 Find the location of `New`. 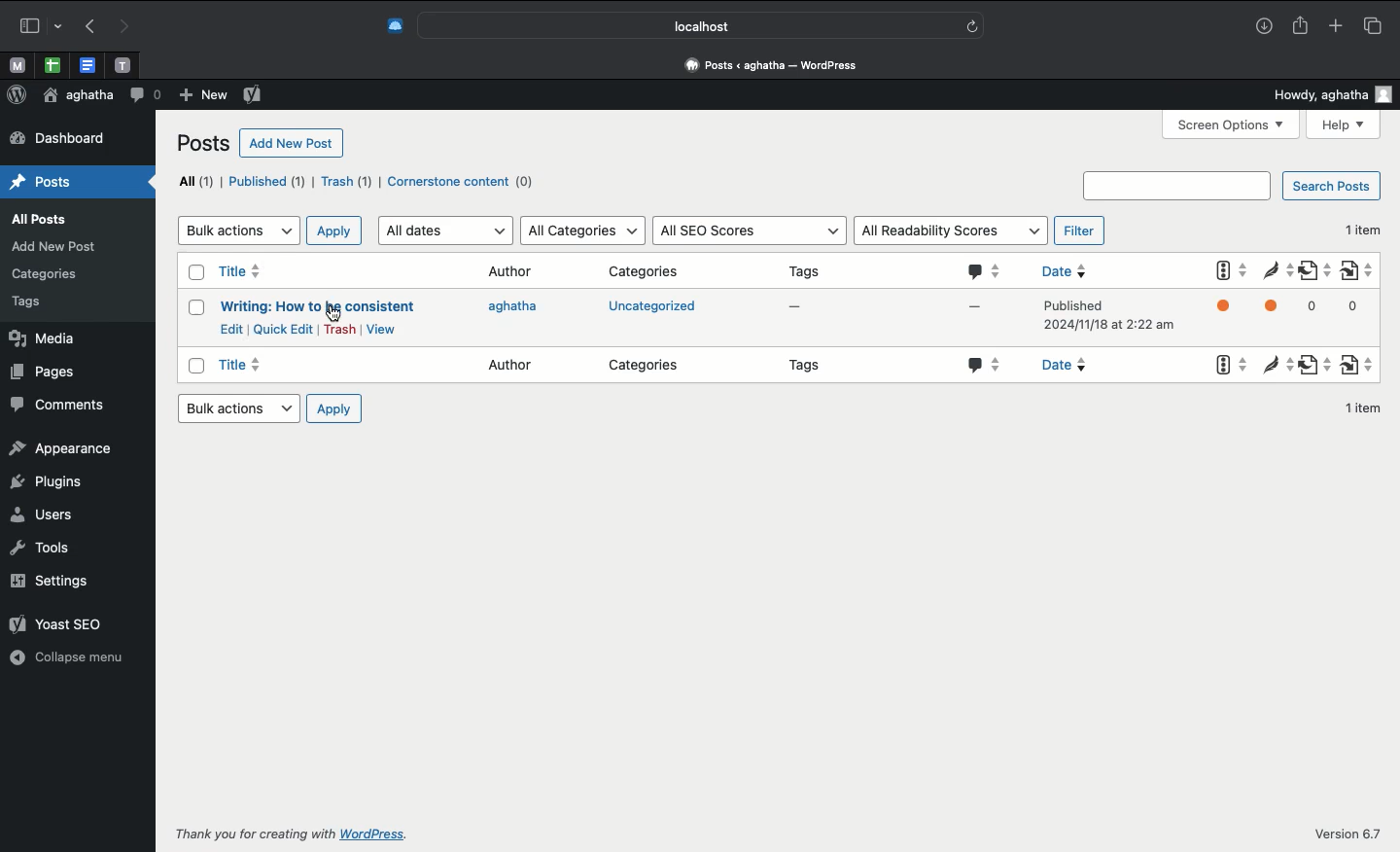

New is located at coordinates (200, 95).